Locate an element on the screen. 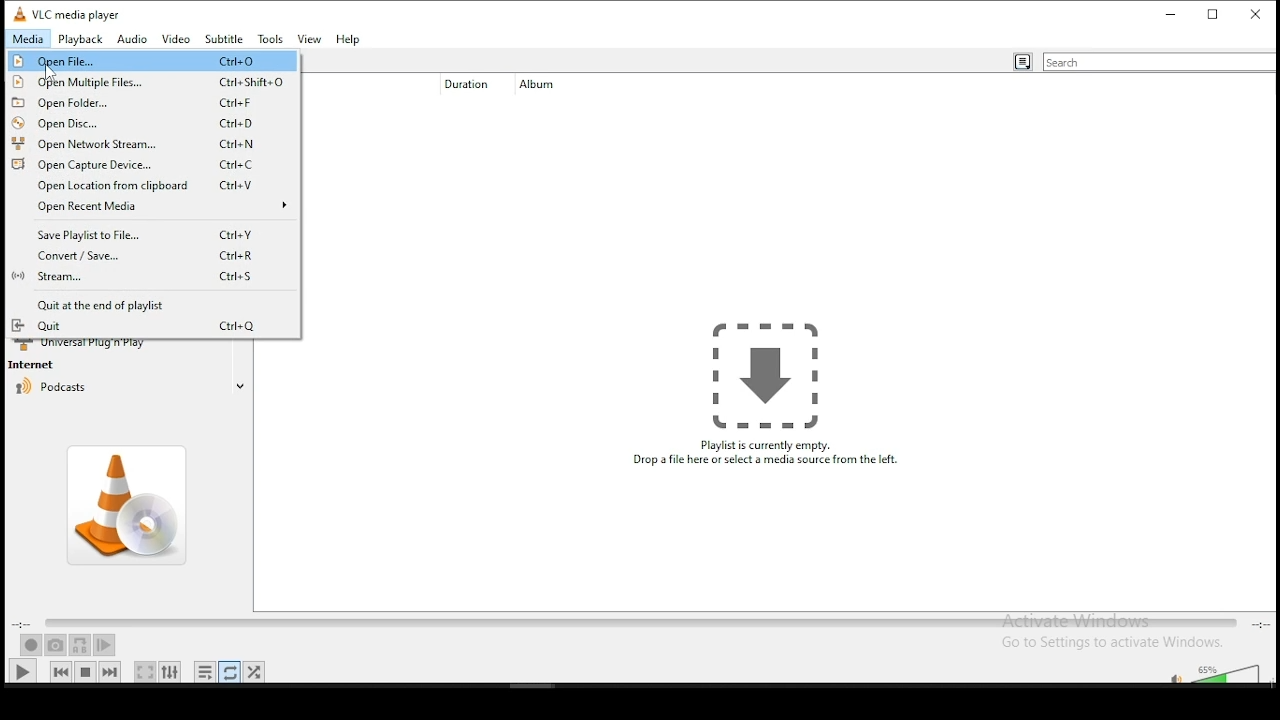 This screenshot has width=1280, height=720. quit is located at coordinates (141, 327).